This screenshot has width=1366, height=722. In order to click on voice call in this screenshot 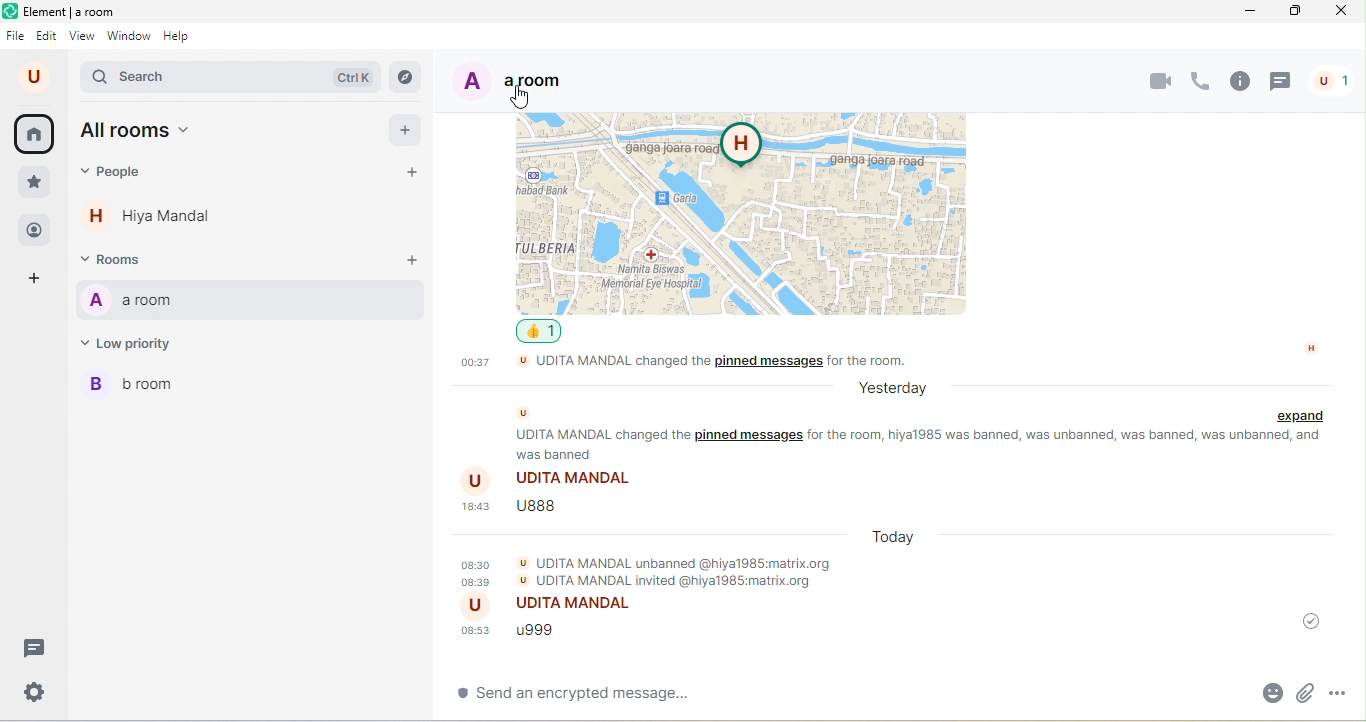, I will do `click(1198, 81)`.